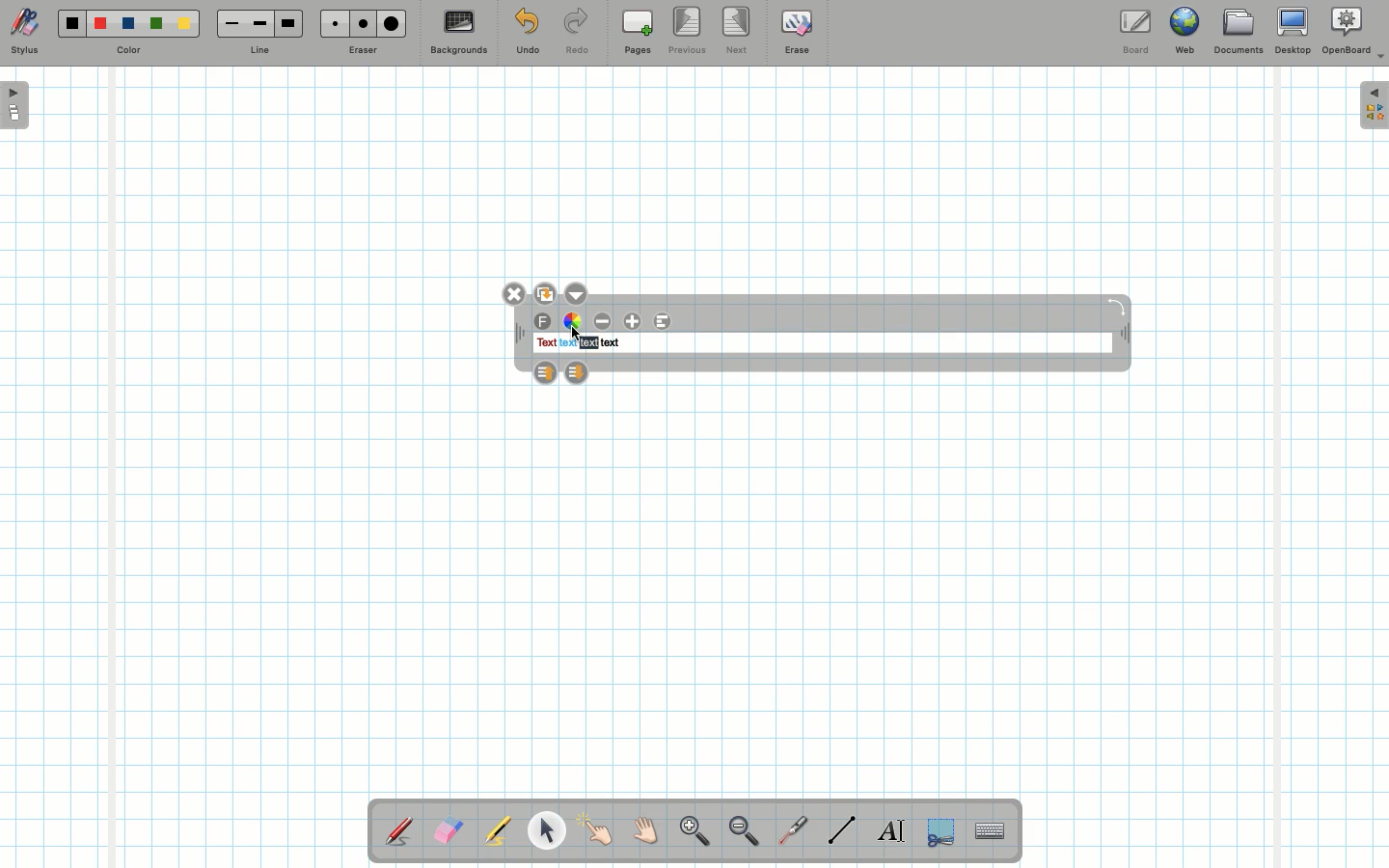 This screenshot has height=868, width=1389. I want to click on Close, so click(512, 294).